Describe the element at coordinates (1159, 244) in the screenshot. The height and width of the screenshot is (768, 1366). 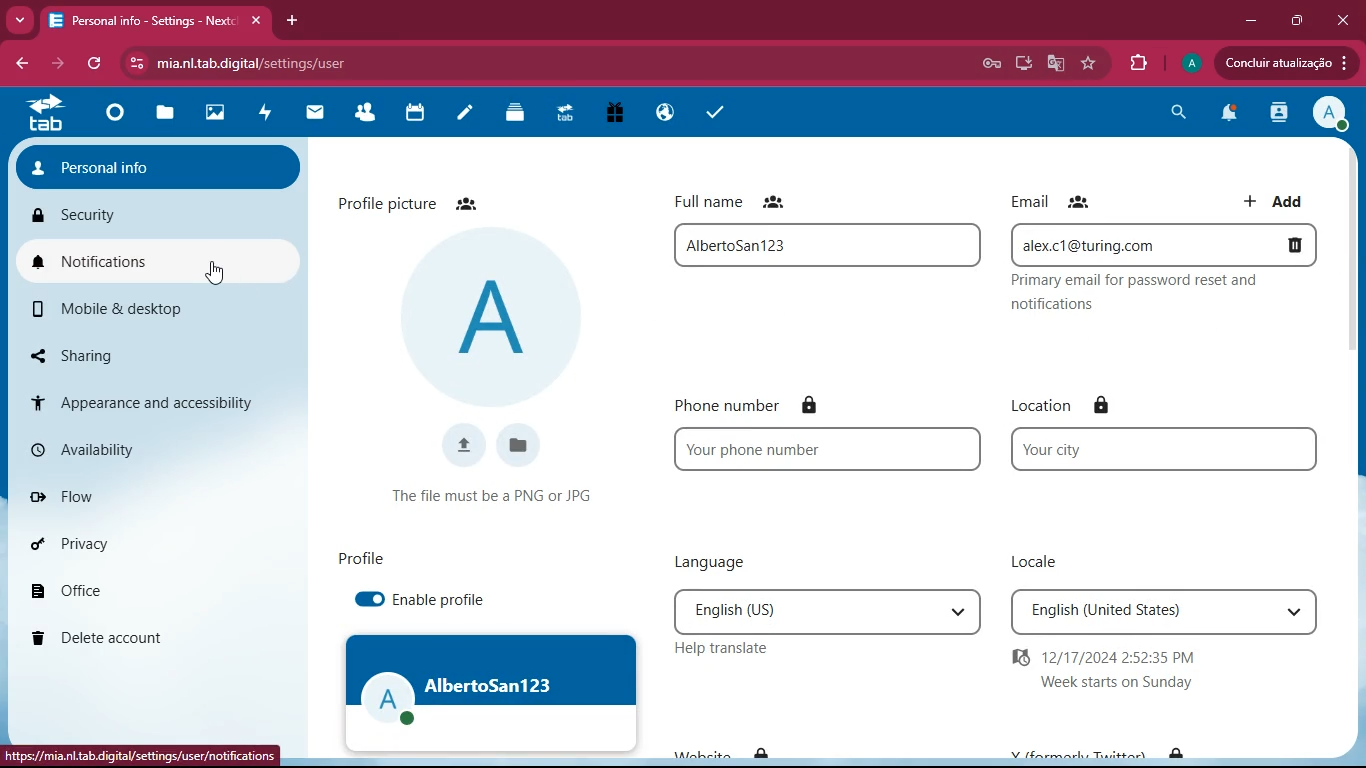
I see `email` at that location.